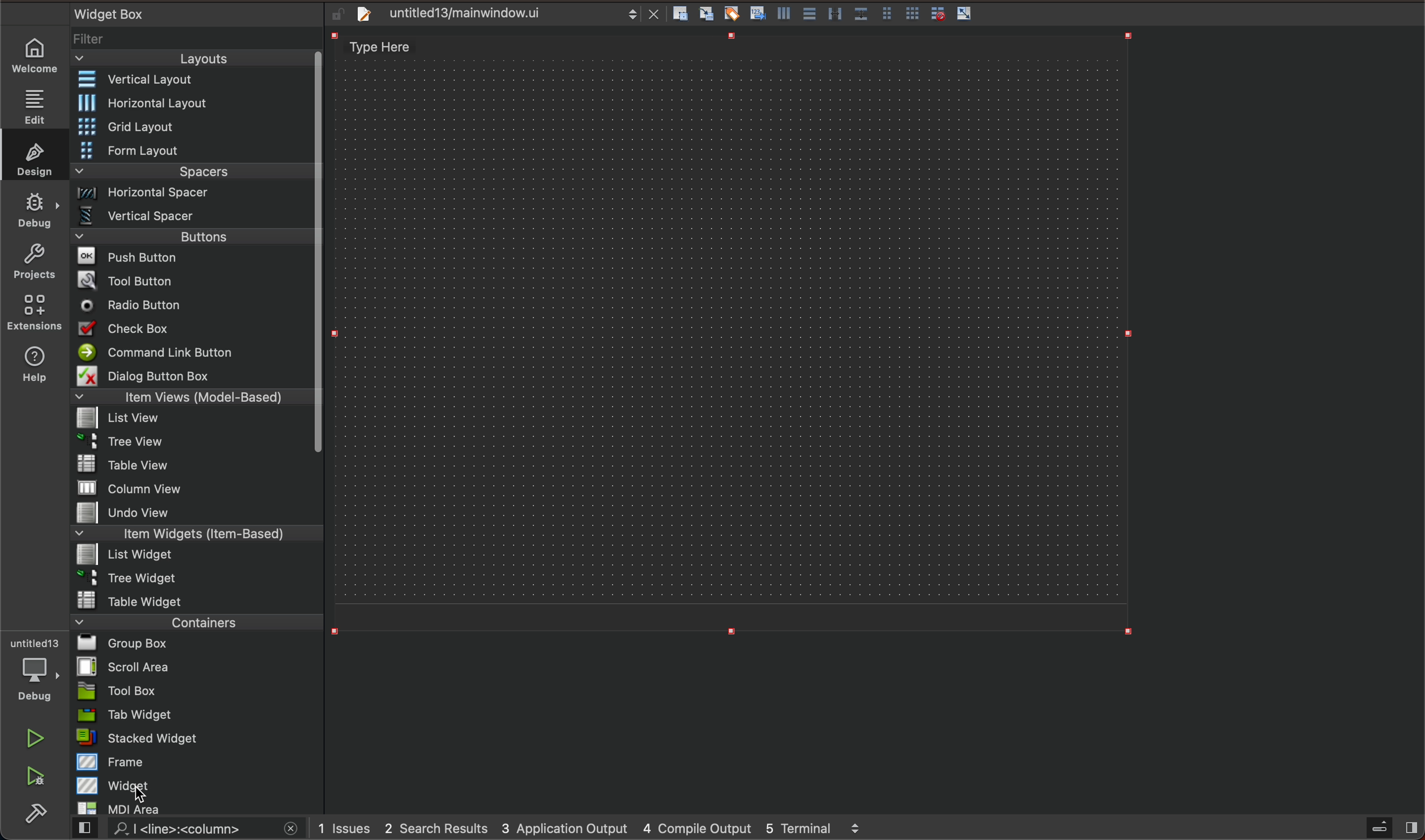 The image size is (1425, 840). What do you see at coordinates (37, 261) in the screenshot?
I see `projects` at bounding box center [37, 261].